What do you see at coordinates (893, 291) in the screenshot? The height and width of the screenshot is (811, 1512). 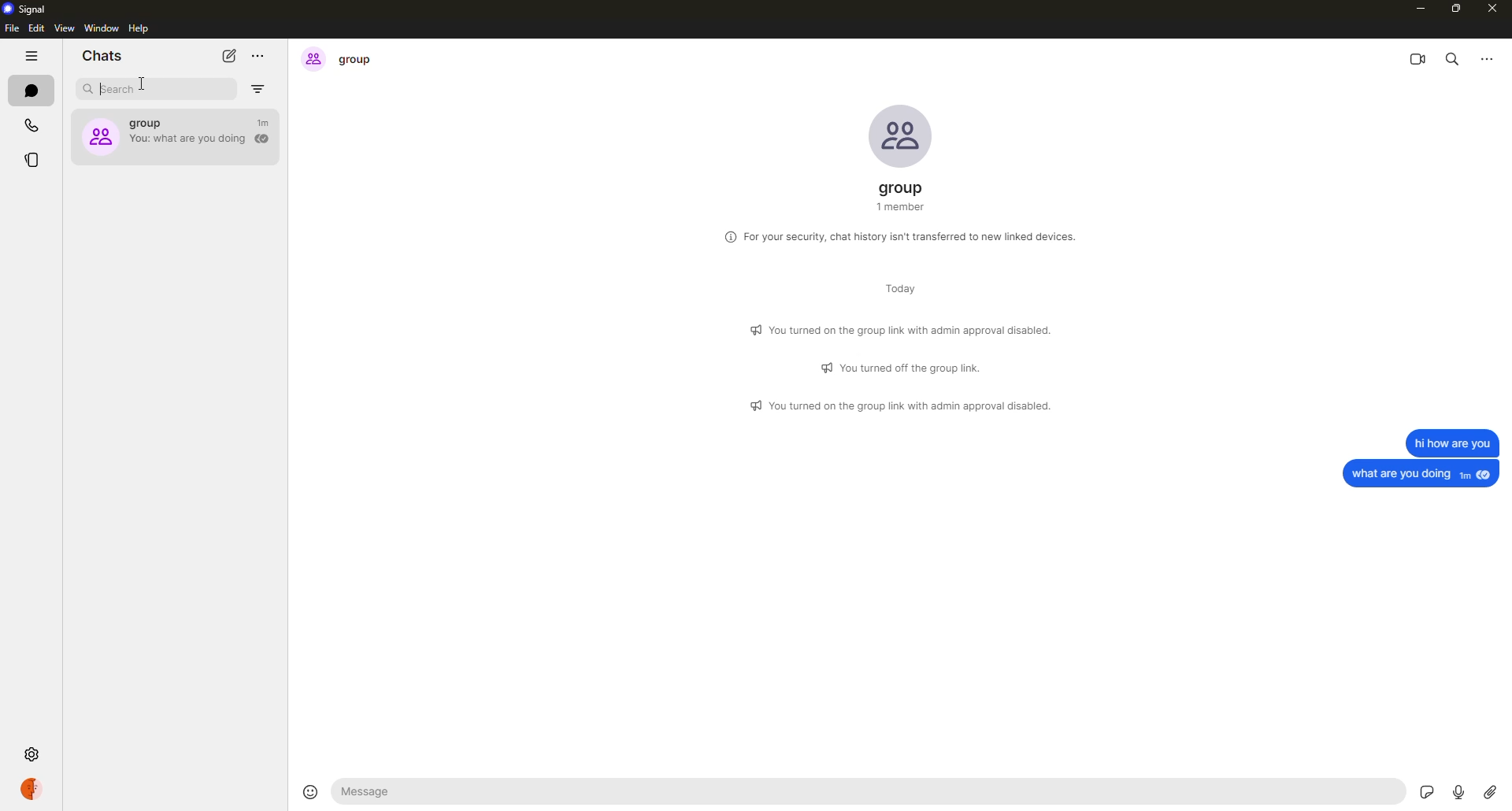 I see `day` at bounding box center [893, 291].